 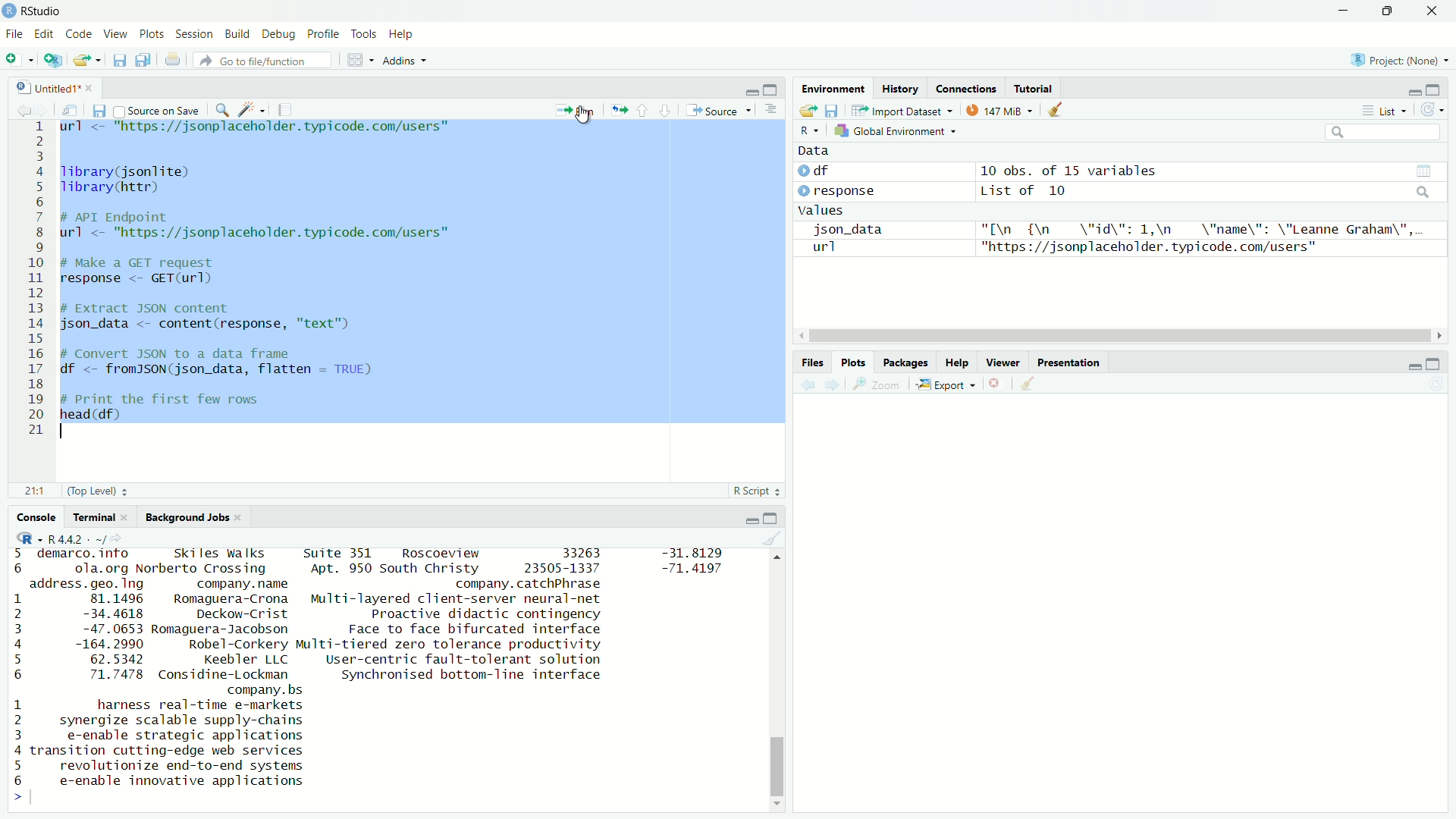 I want to click on Rows, so click(x=35, y=278).